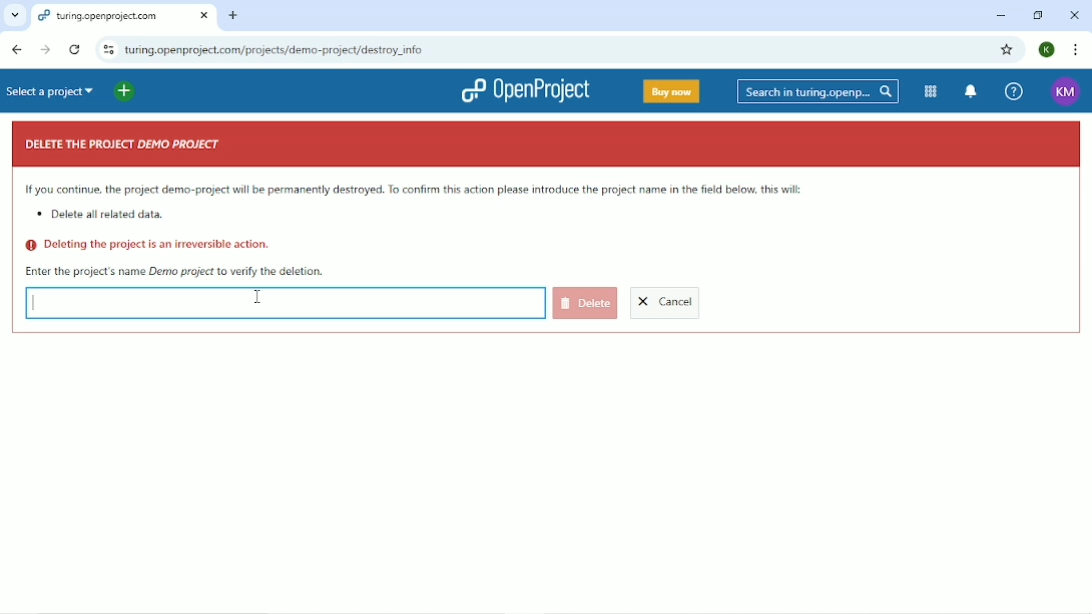 Image resolution: width=1092 pixels, height=614 pixels. Describe the element at coordinates (1013, 92) in the screenshot. I see `Help` at that location.